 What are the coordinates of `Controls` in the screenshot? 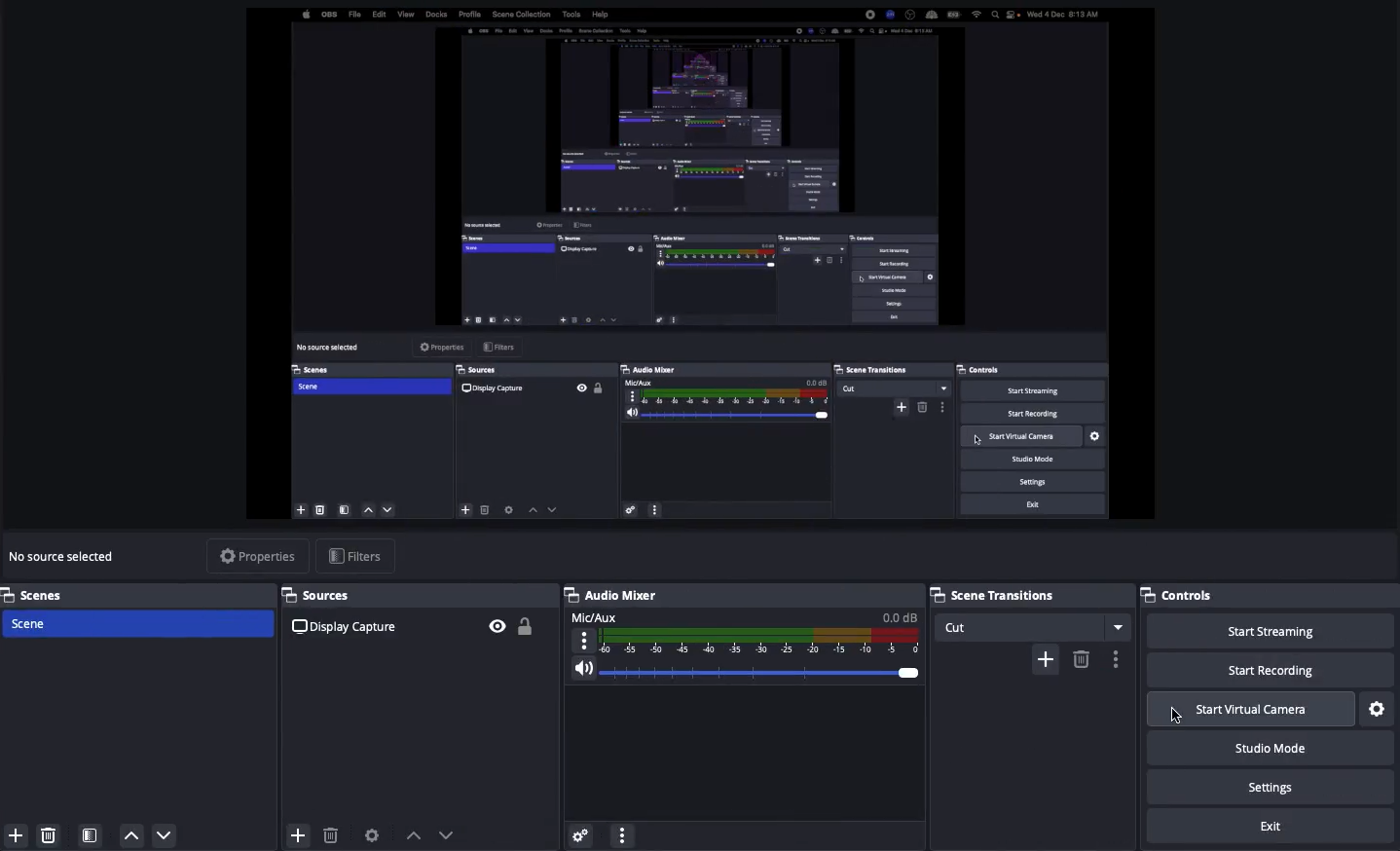 It's located at (1188, 593).